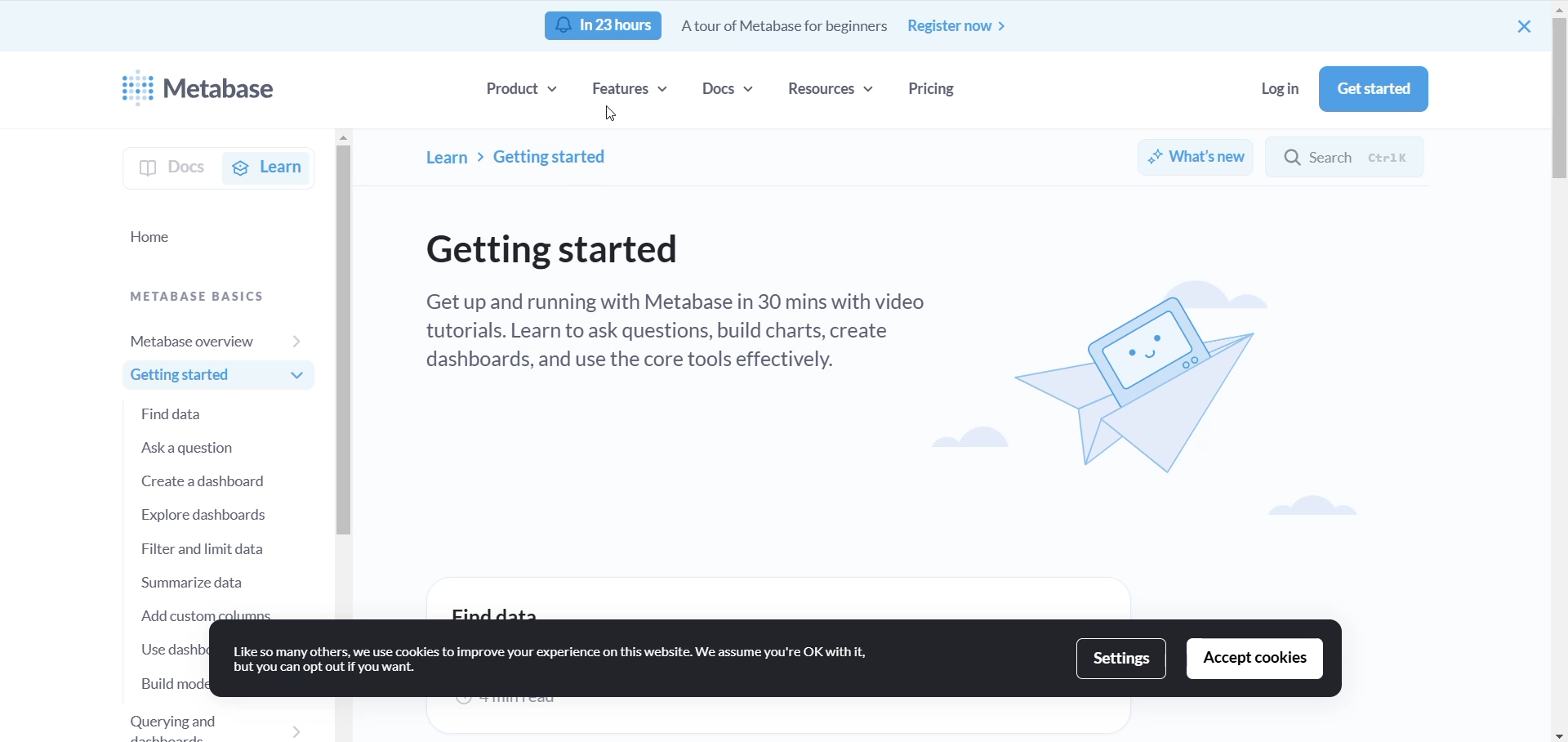 The height and width of the screenshot is (742, 1568). What do you see at coordinates (1123, 659) in the screenshot?
I see `settings` at bounding box center [1123, 659].